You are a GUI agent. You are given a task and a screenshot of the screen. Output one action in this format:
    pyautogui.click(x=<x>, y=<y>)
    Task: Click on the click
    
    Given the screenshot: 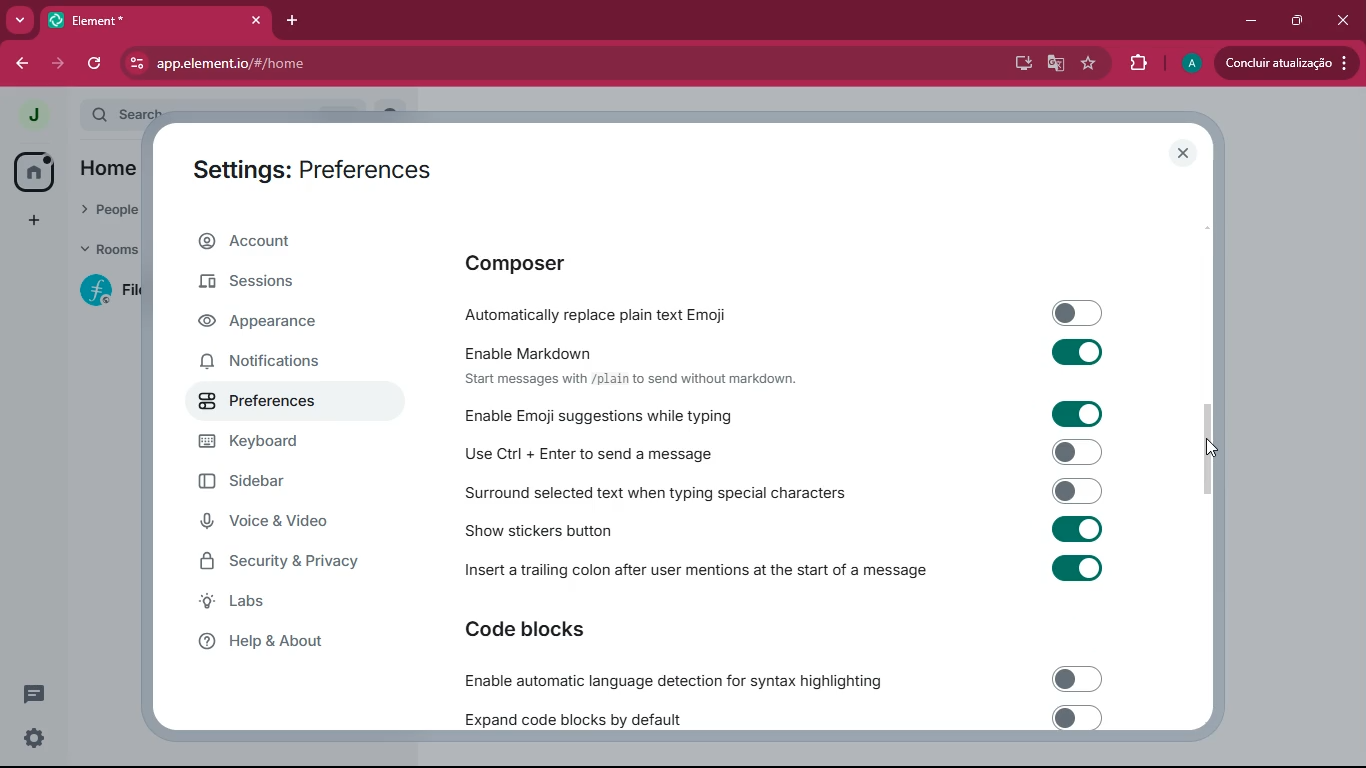 What is the action you would take?
    pyautogui.click(x=1346, y=22)
    